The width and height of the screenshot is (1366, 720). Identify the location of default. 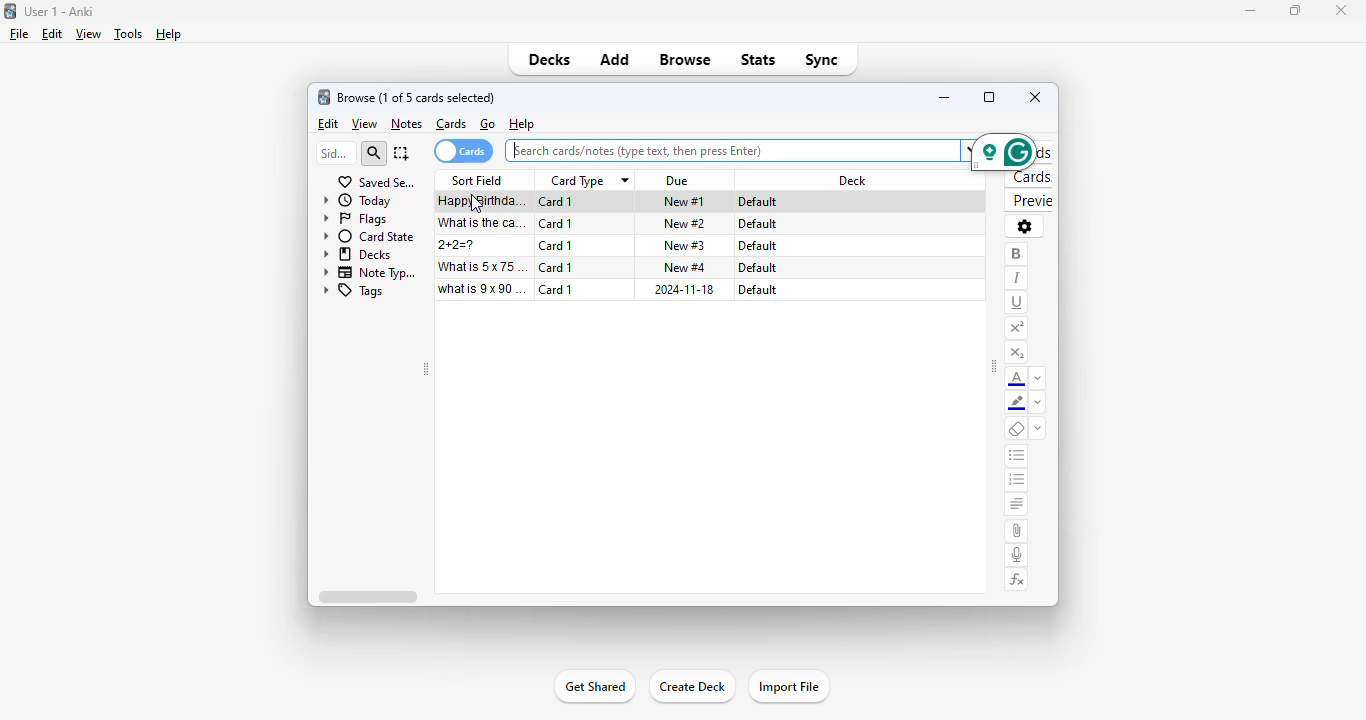
(760, 202).